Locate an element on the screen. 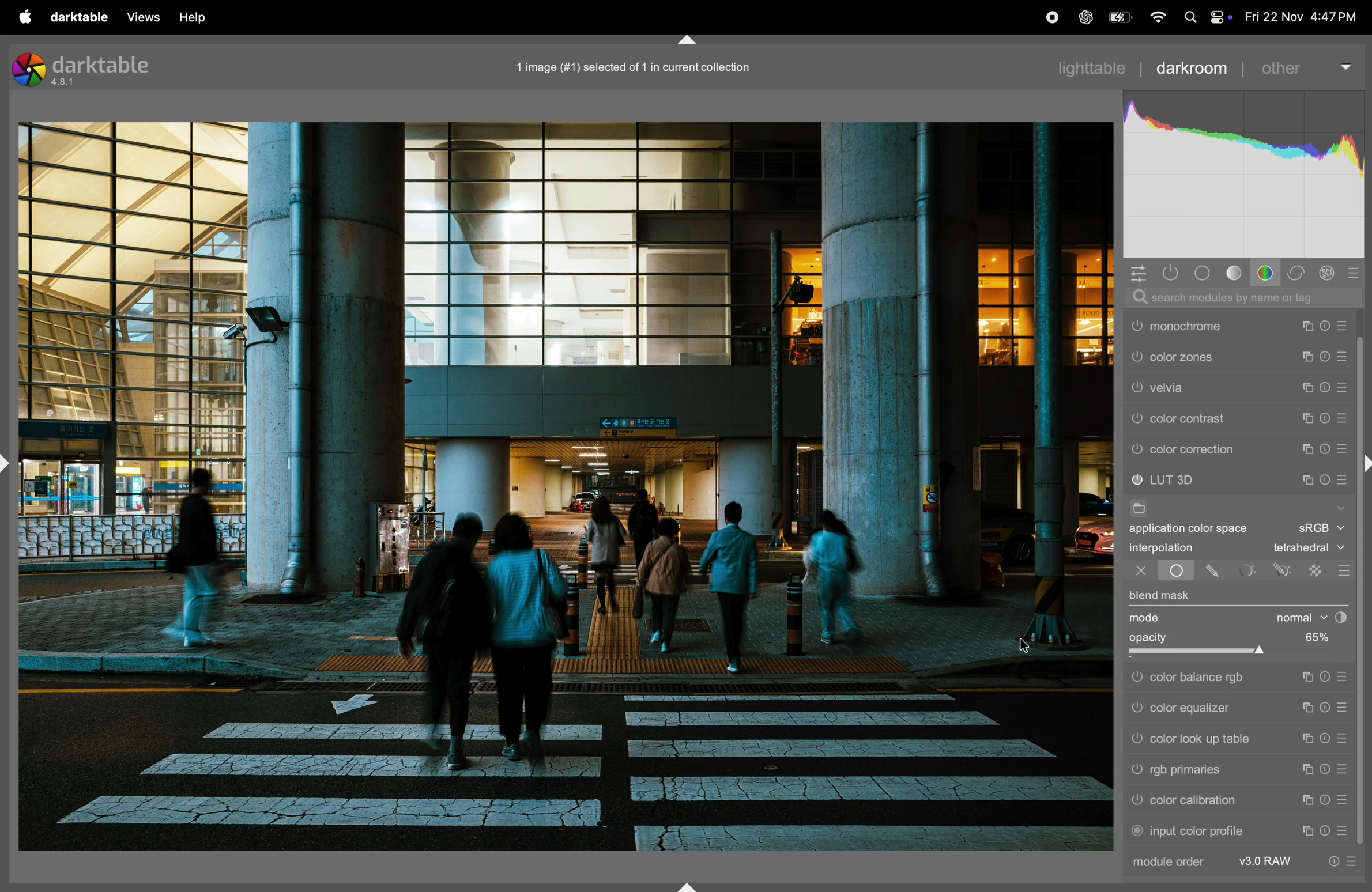 The height and width of the screenshot is (892, 1372). multiple intance actions is located at coordinates (1306, 354).